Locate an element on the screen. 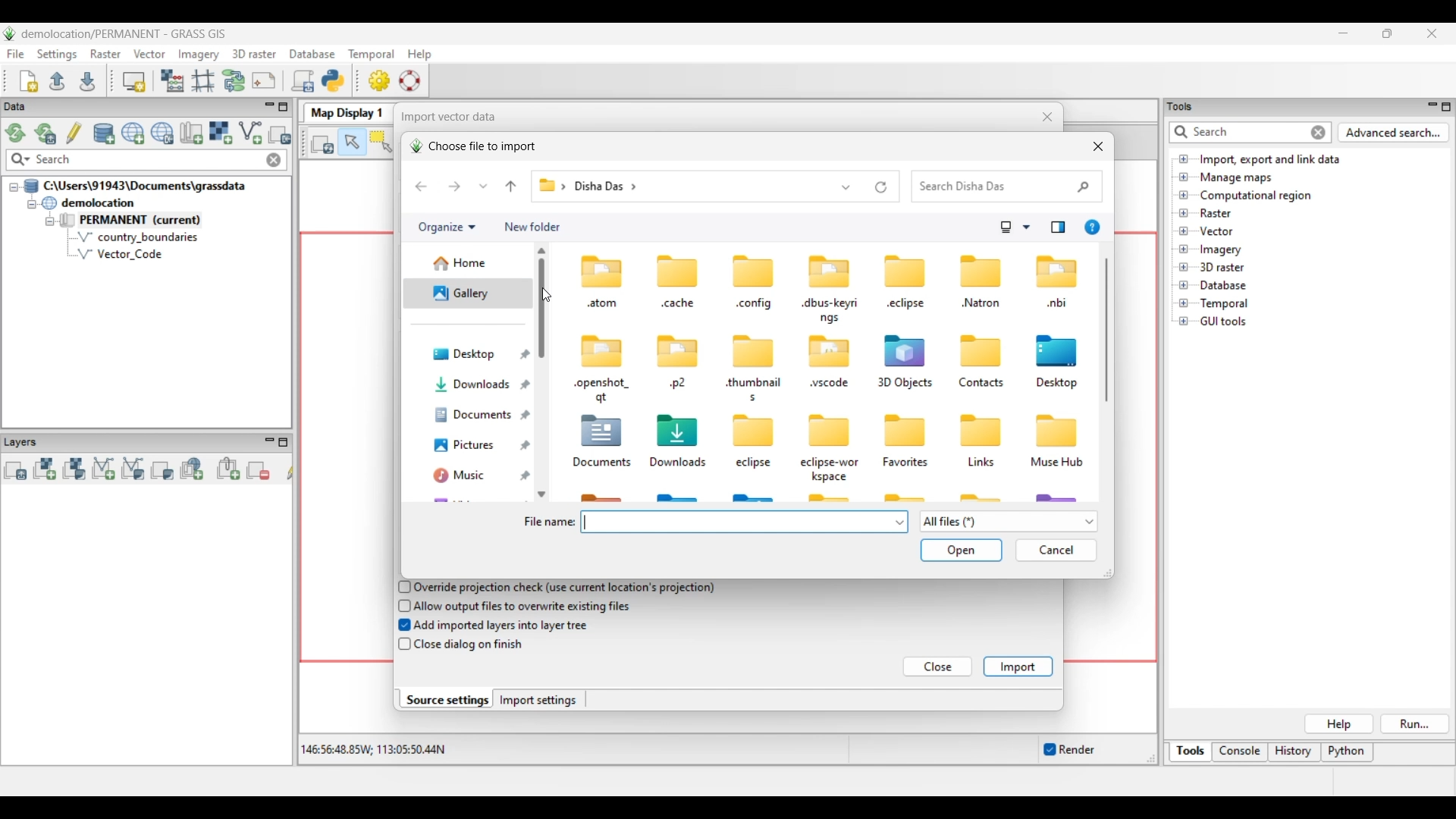 The height and width of the screenshot is (819, 1456). Type in map for quick search is located at coordinates (148, 160).